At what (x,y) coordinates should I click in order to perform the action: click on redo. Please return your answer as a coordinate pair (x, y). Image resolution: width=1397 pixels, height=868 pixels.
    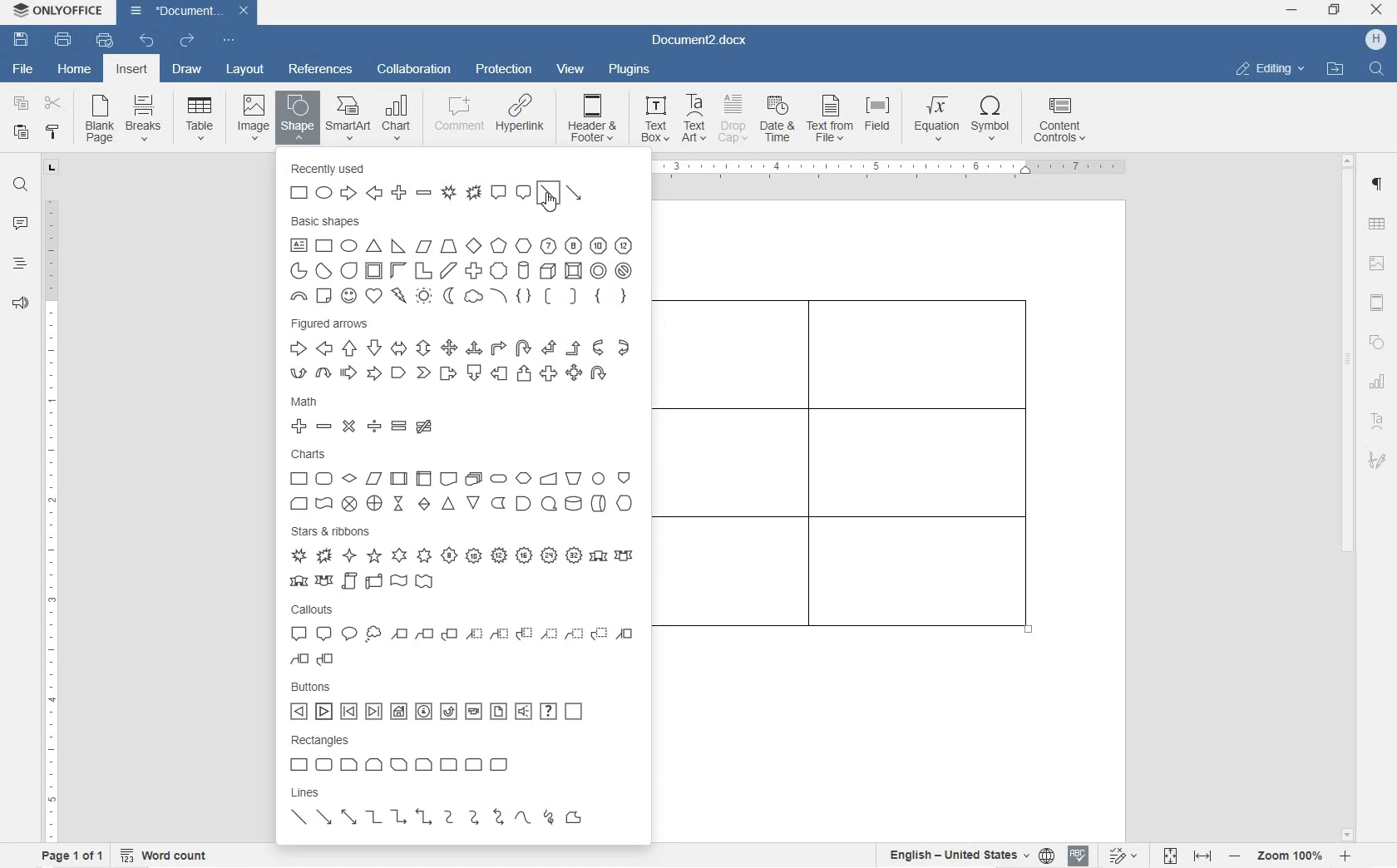
    Looking at the image, I should click on (187, 42).